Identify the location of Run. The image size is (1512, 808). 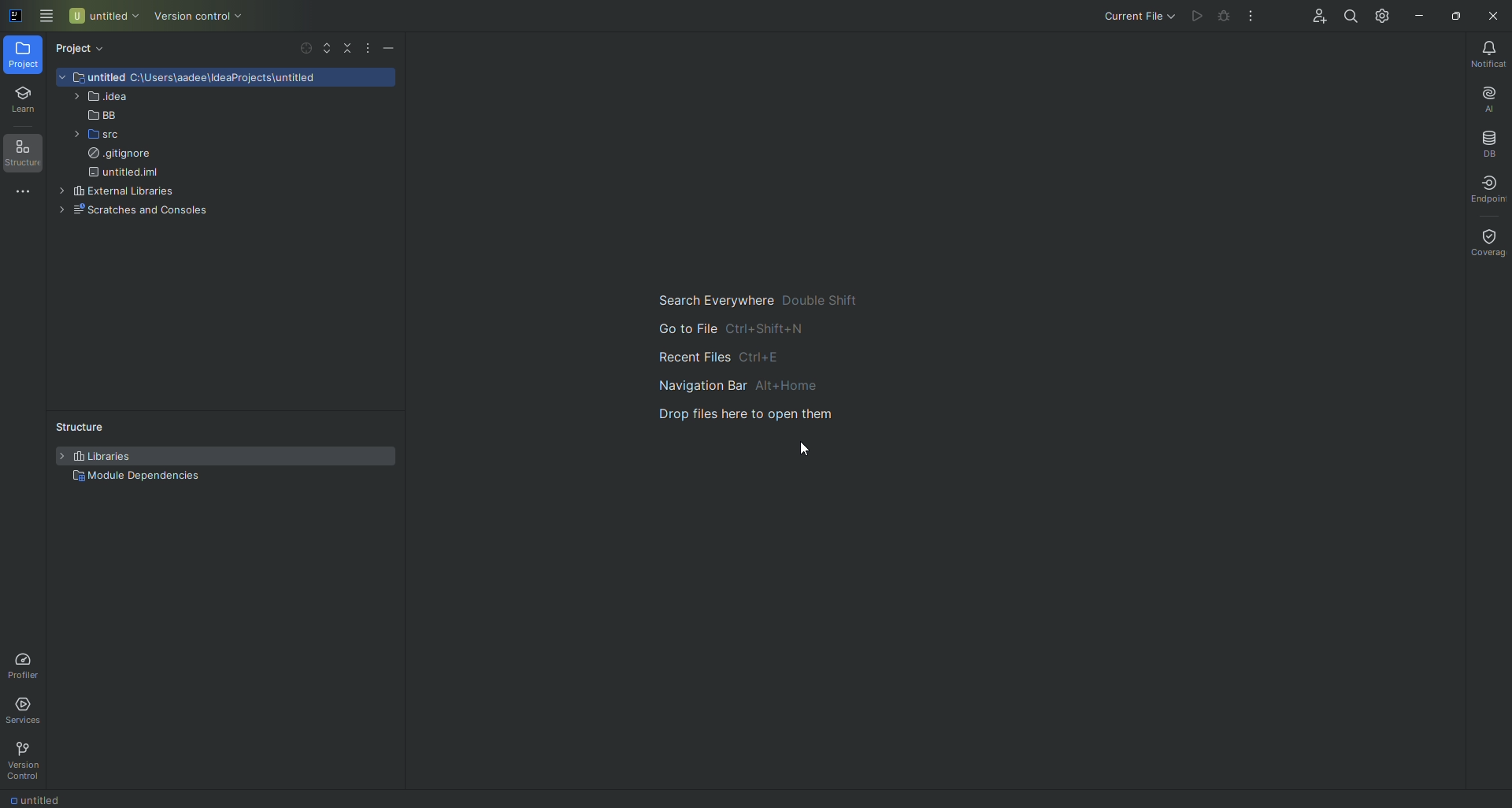
(1194, 17).